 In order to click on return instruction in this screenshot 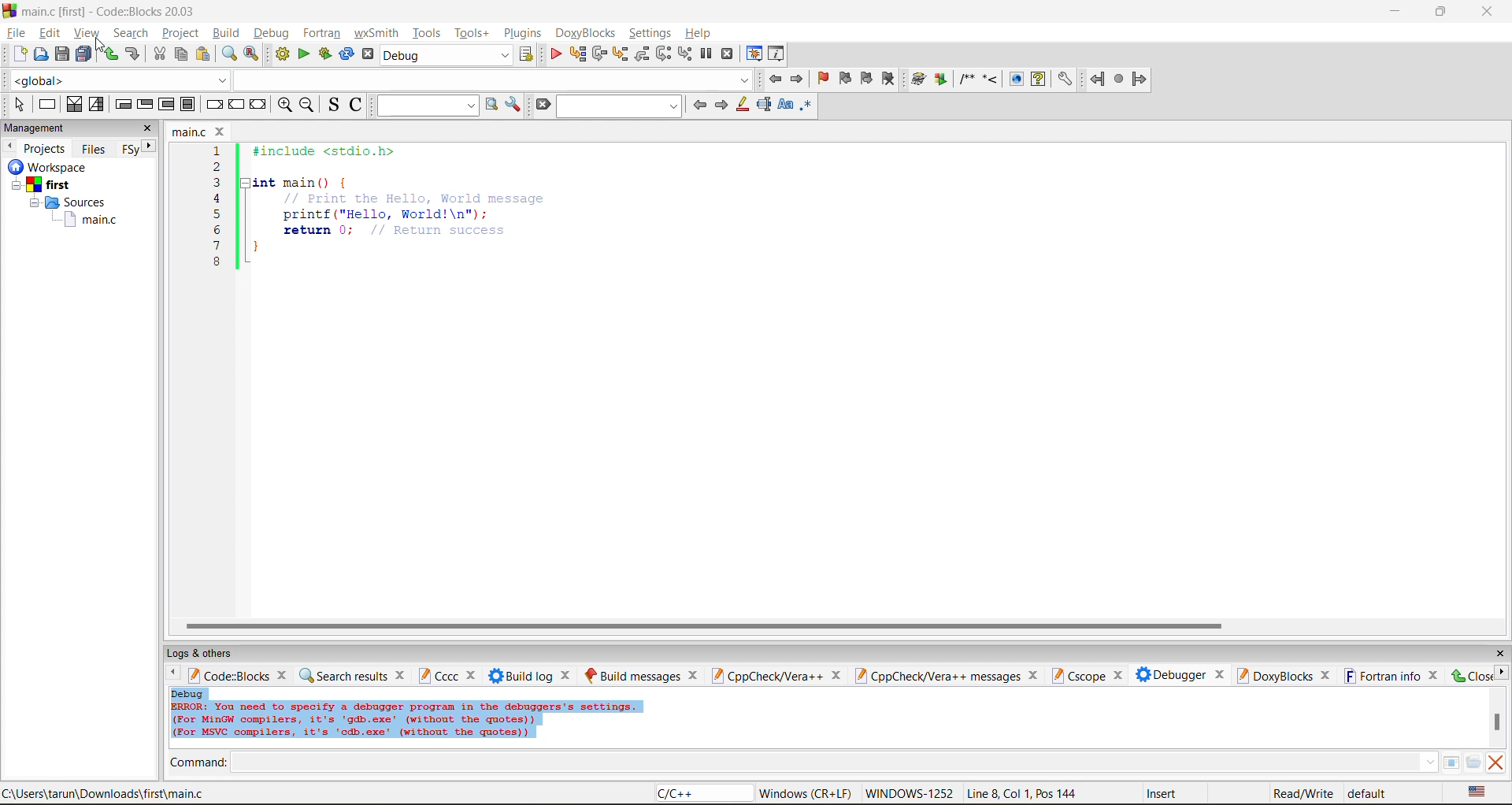, I will do `click(258, 104)`.